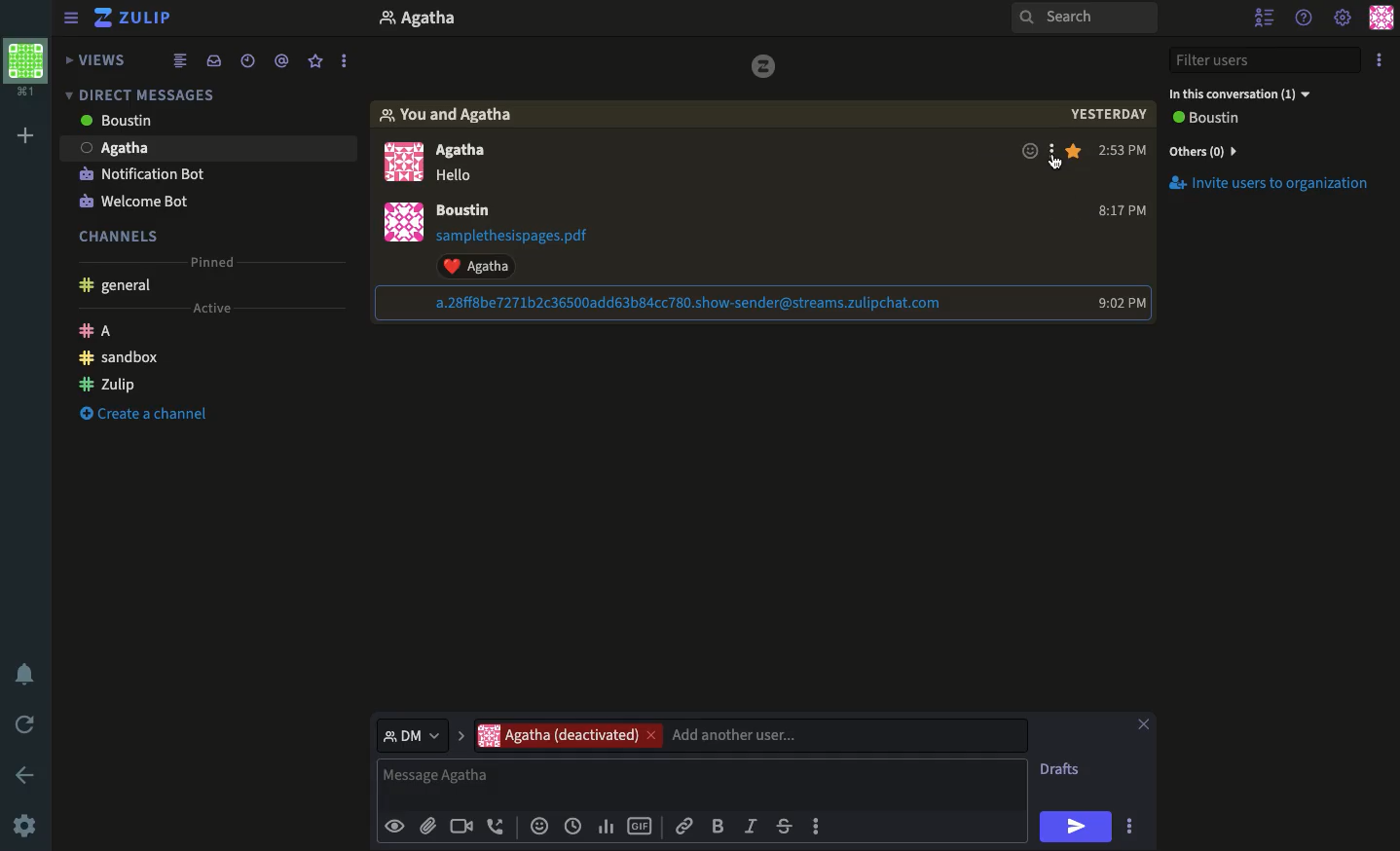 The image size is (1400, 851). Describe the element at coordinates (1062, 771) in the screenshot. I see `Drafts` at that location.